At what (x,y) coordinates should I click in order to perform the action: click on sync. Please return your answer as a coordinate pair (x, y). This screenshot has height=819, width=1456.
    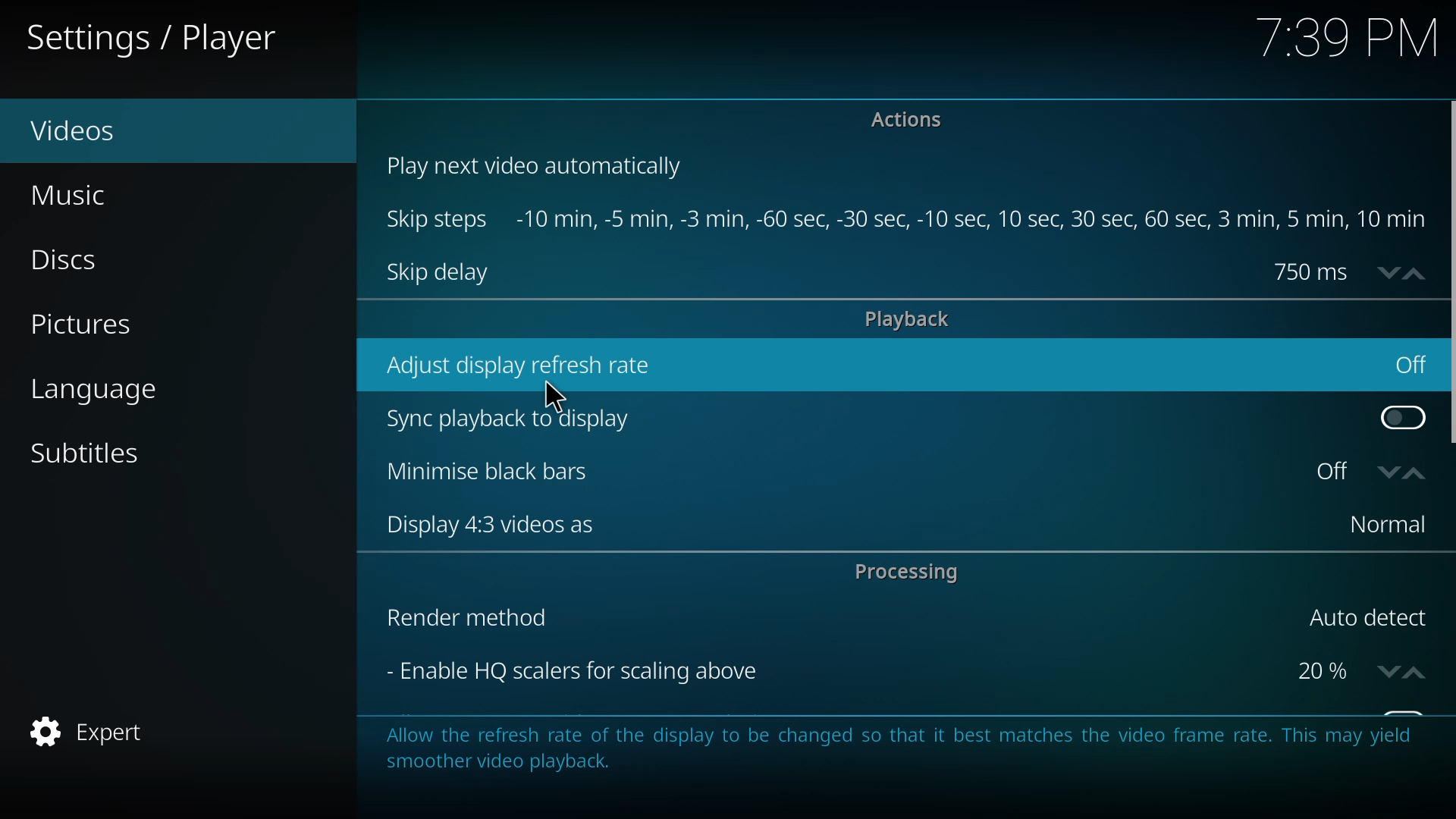
    Looking at the image, I should click on (510, 416).